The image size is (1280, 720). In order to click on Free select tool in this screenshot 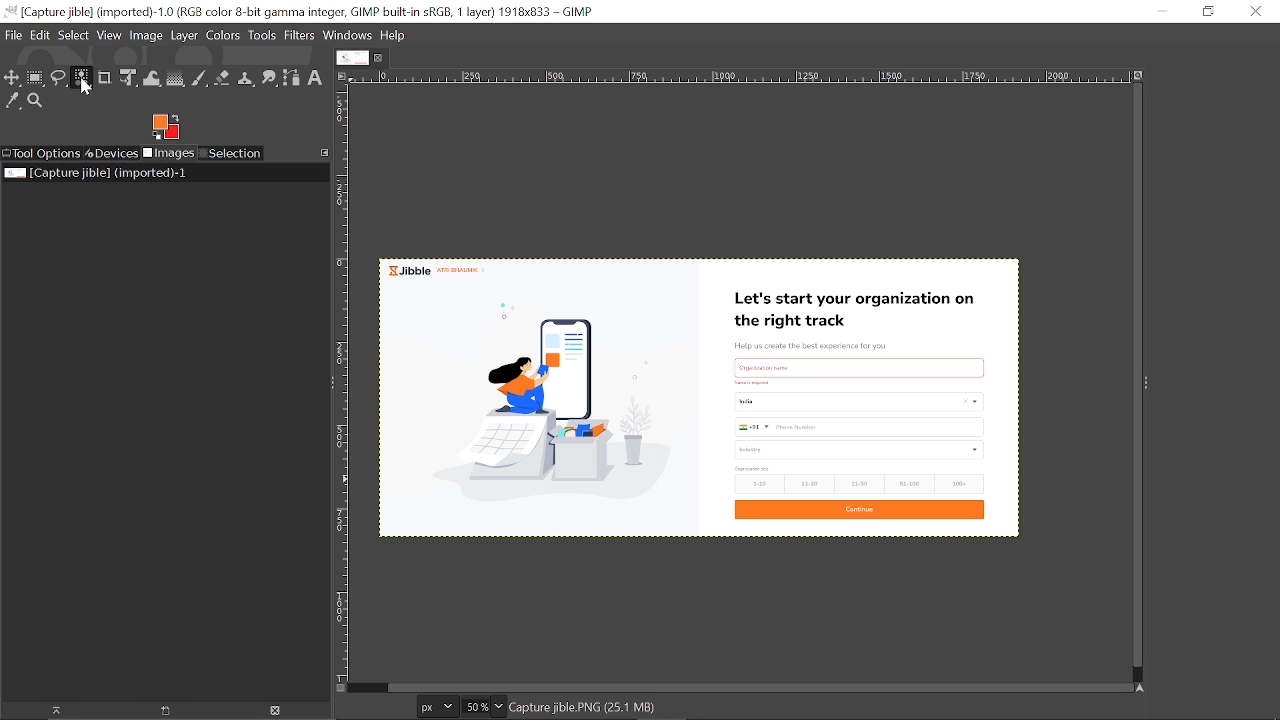, I will do `click(59, 80)`.